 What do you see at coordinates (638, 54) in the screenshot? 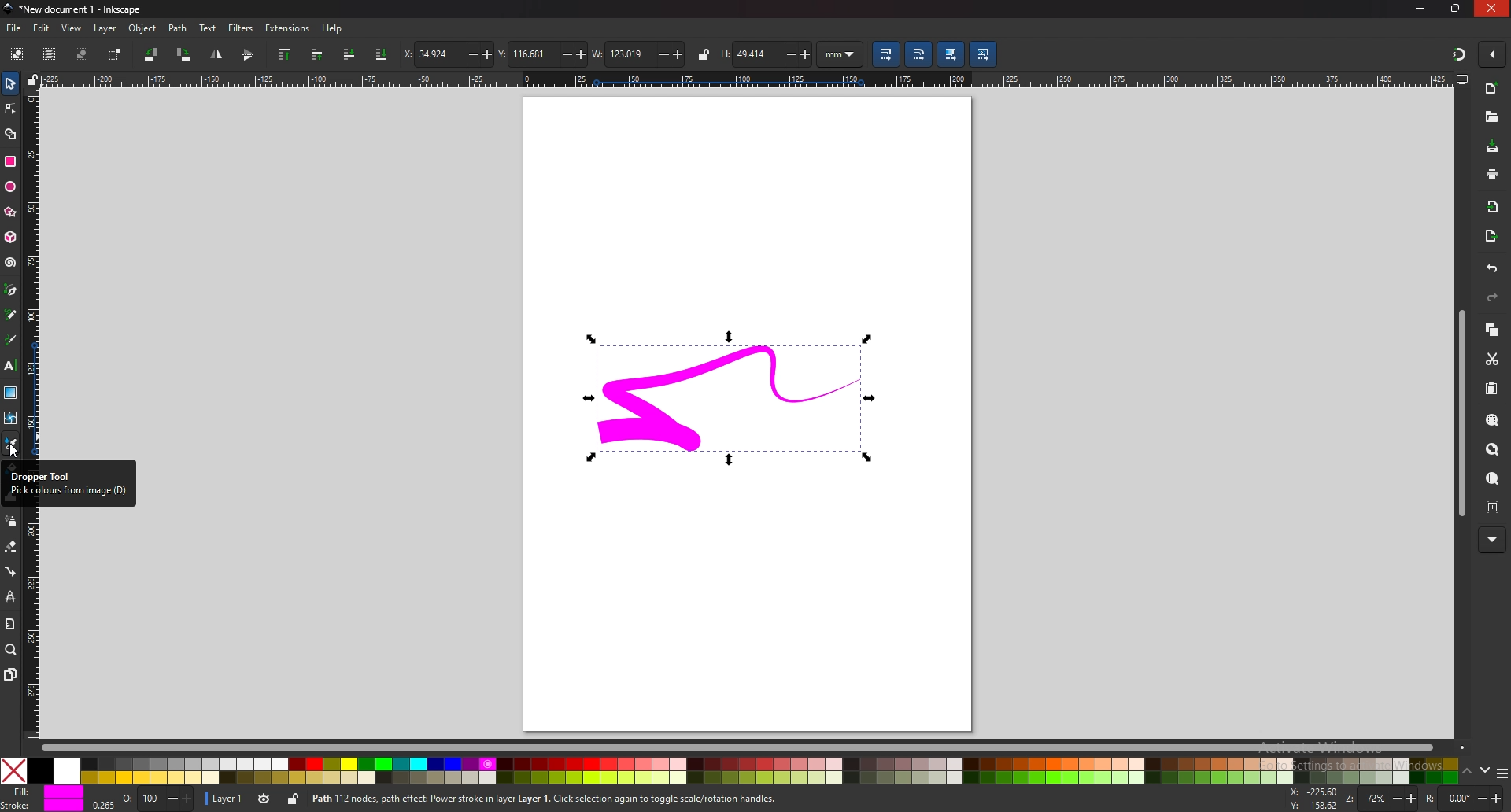
I see `width` at bounding box center [638, 54].